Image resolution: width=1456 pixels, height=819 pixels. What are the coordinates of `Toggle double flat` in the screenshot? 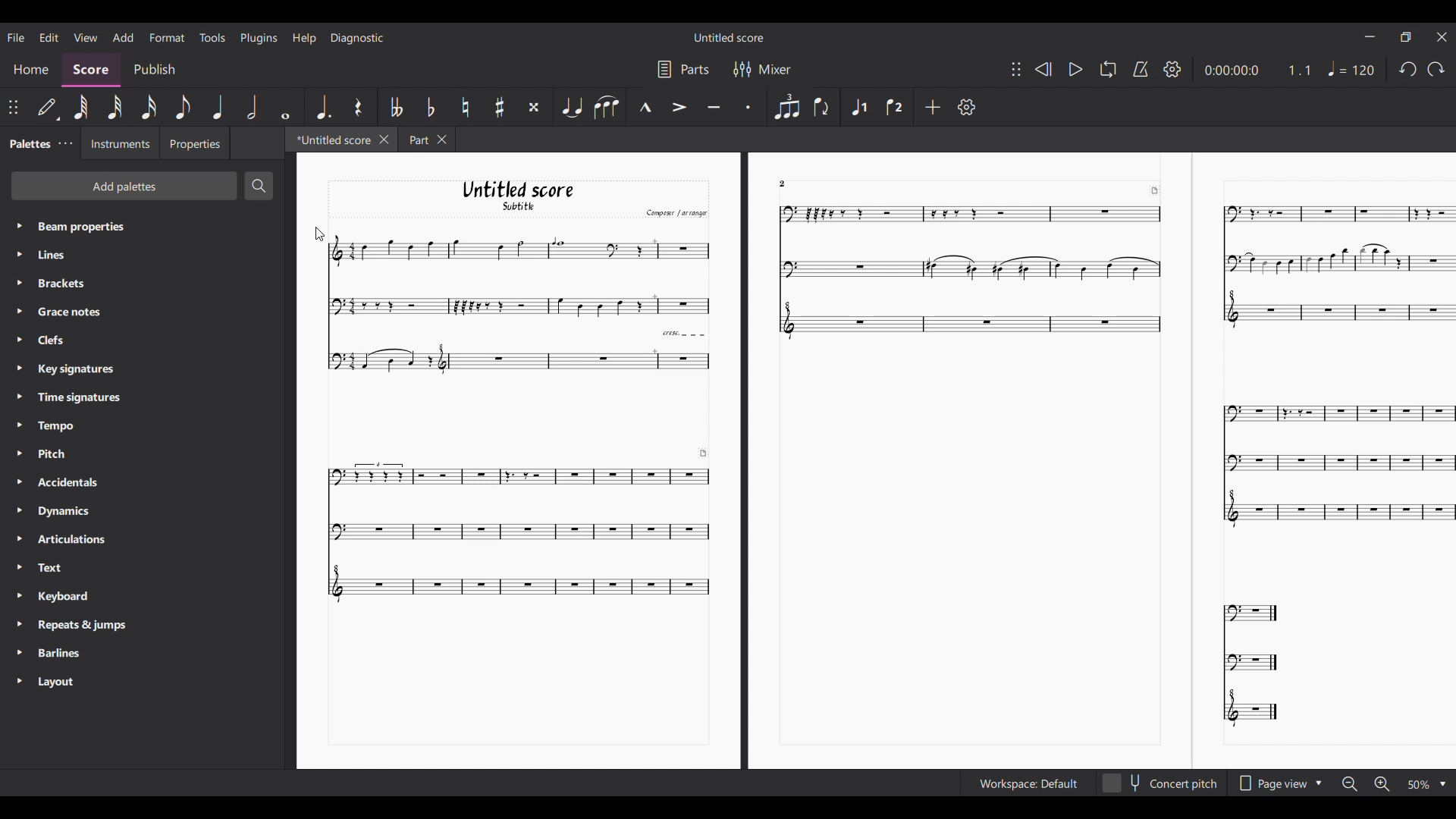 It's located at (397, 106).